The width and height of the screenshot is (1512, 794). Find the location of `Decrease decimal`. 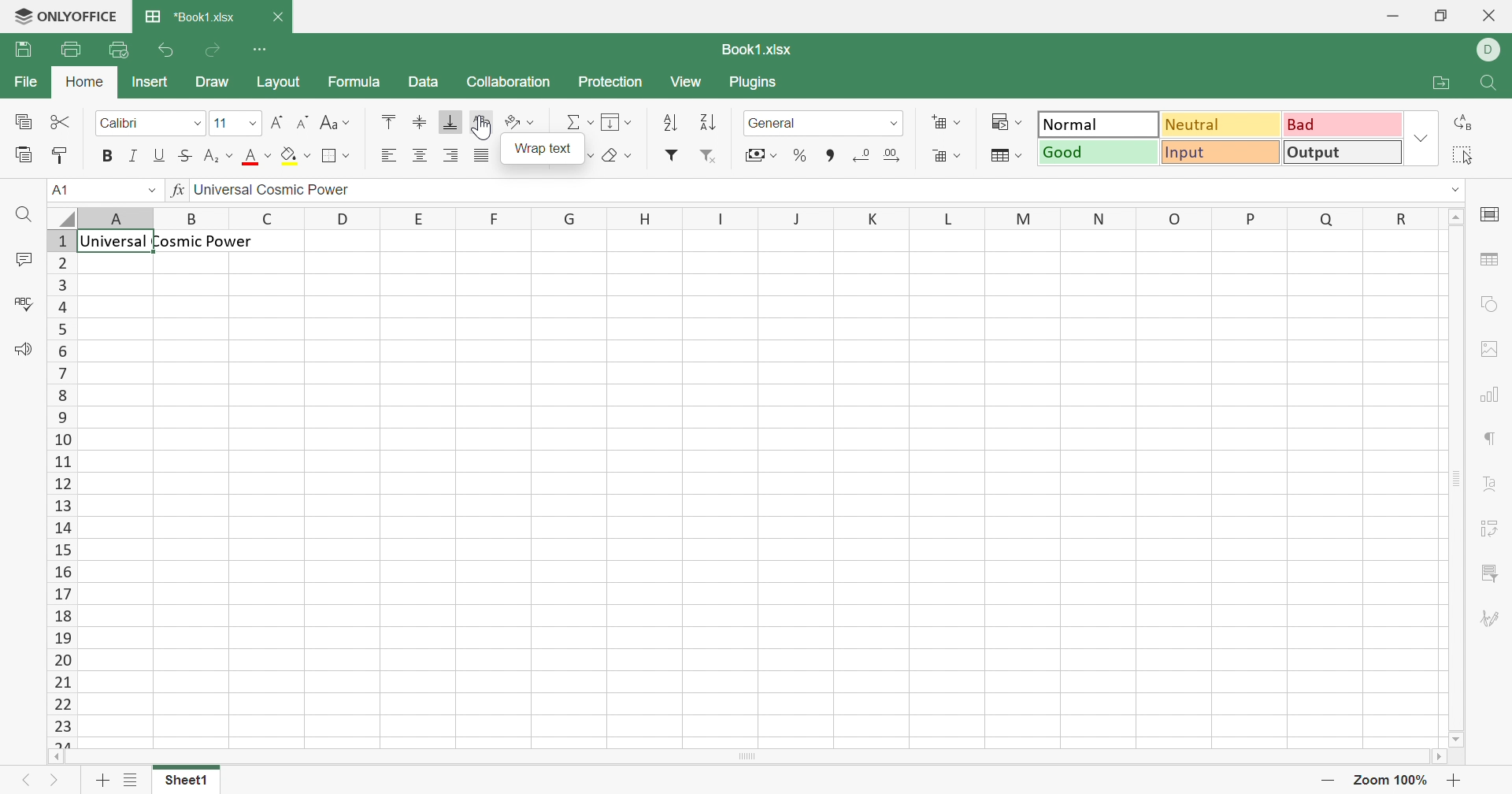

Decrease decimal is located at coordinates (863, 156).